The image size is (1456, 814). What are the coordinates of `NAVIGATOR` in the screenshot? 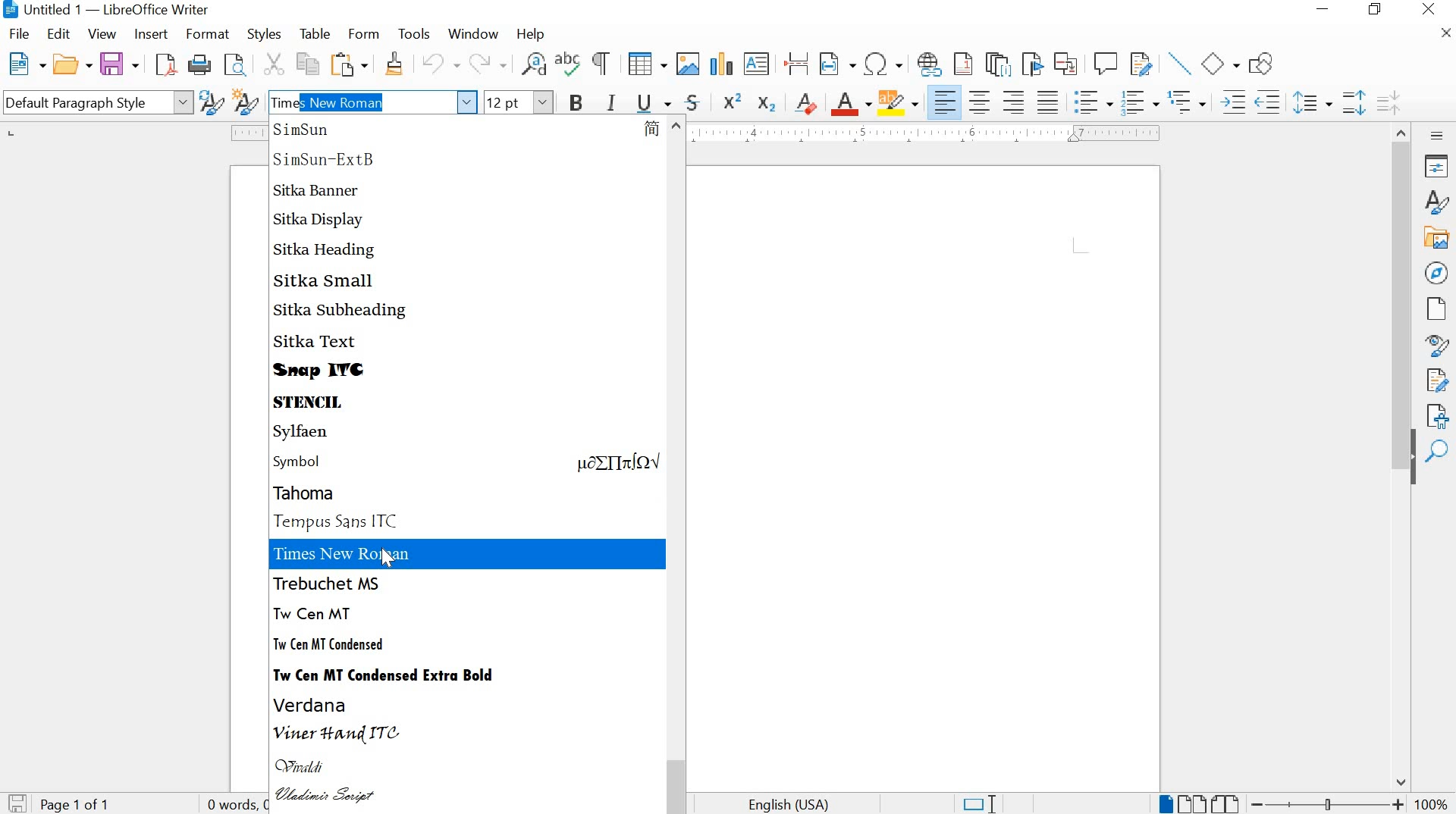 It's located at (1436, 273).